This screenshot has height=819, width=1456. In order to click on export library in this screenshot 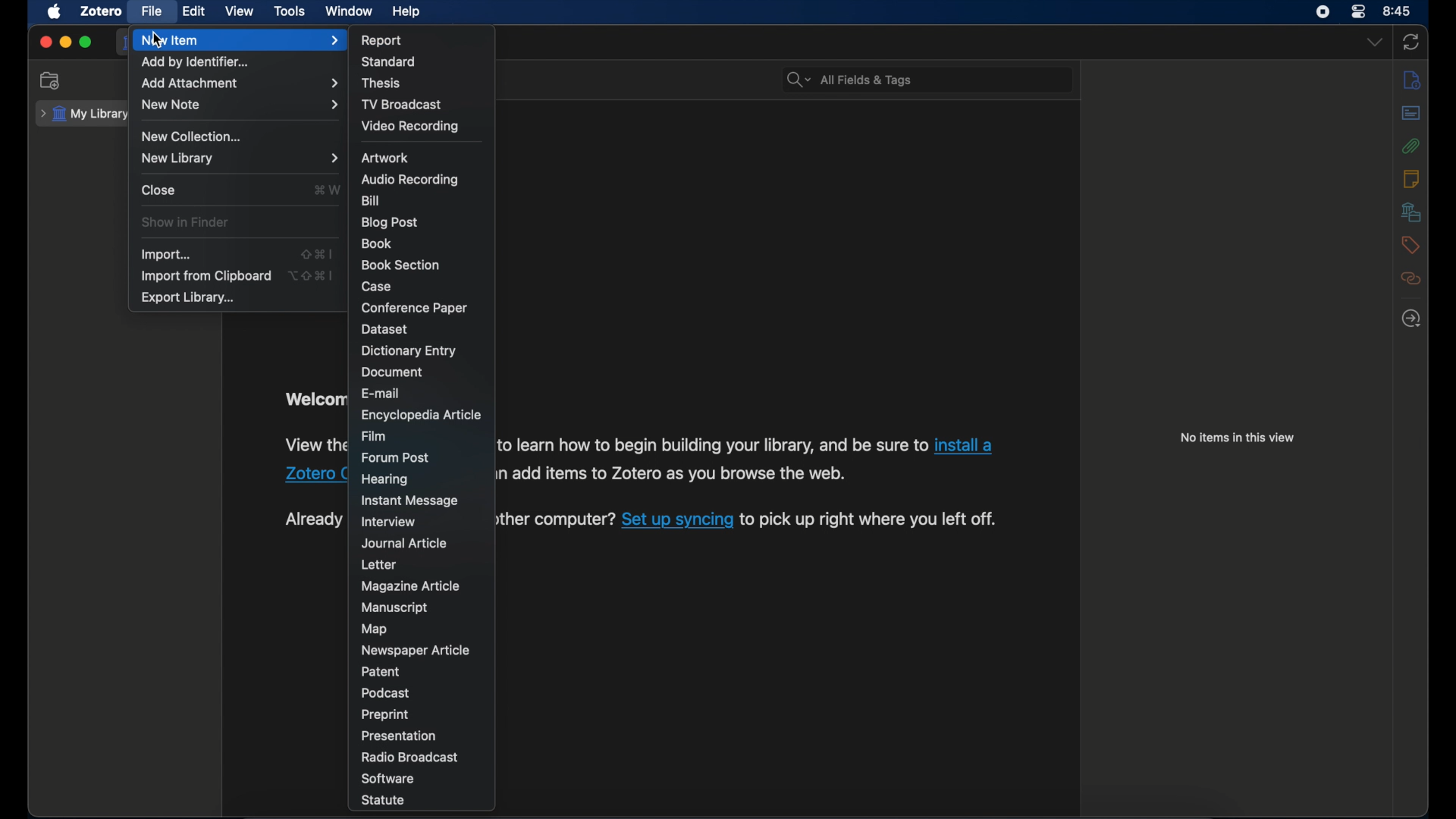, I will do `click(187, 298)`.